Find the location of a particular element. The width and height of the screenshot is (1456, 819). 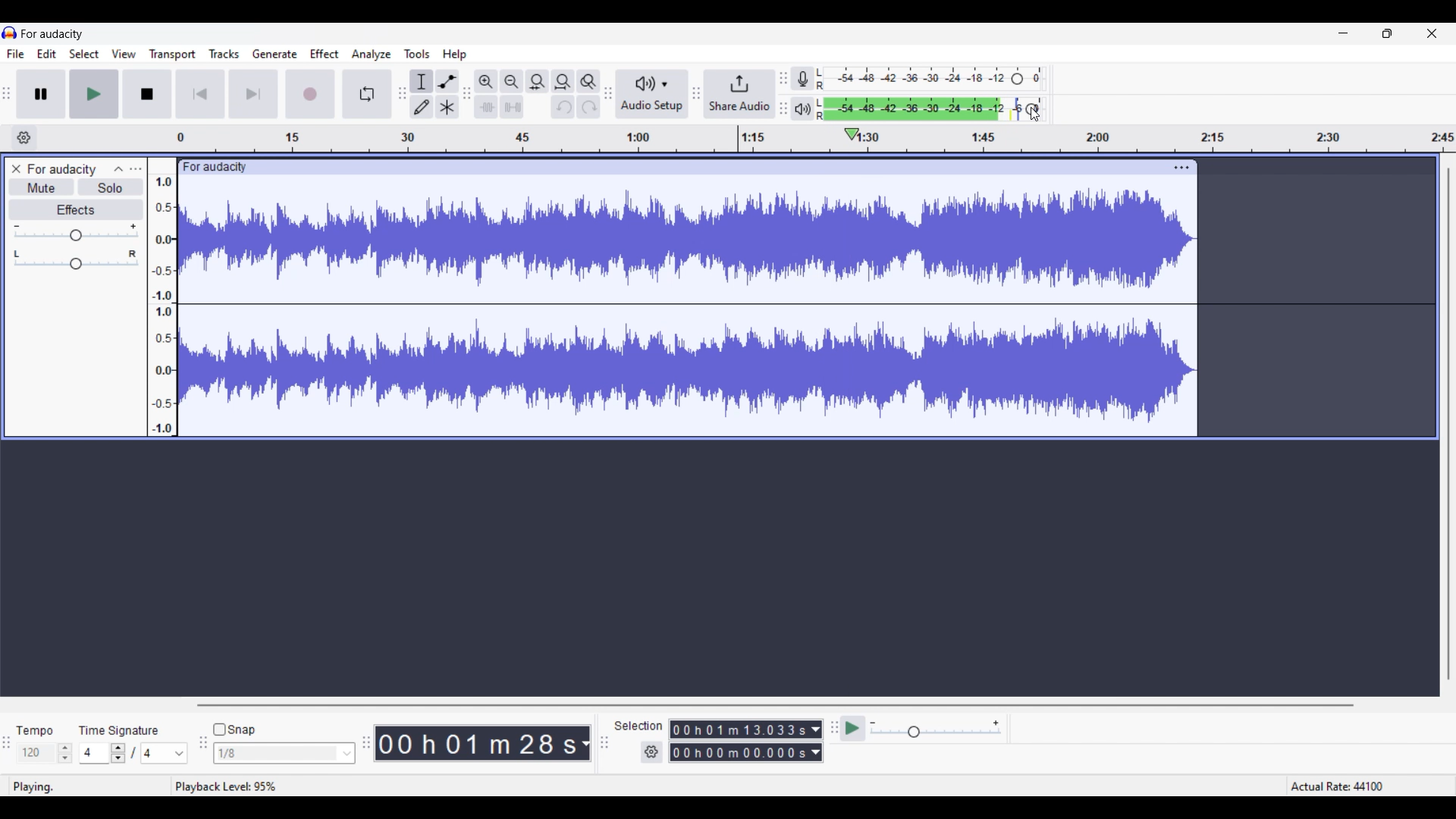

Playback meter is located at coordinates (802, 108).